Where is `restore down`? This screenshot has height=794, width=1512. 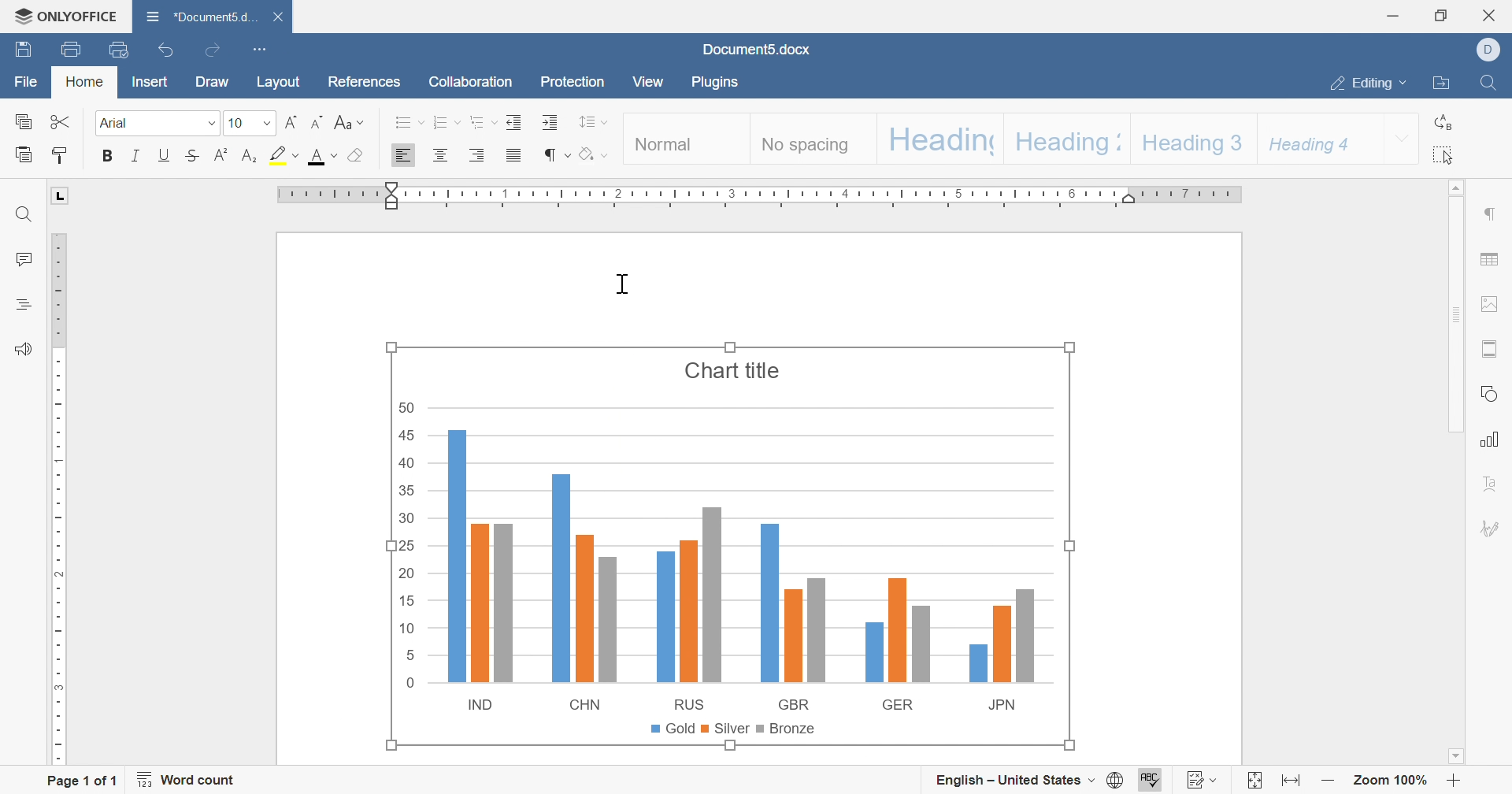 restore down is located at coordinates (1440, 17).